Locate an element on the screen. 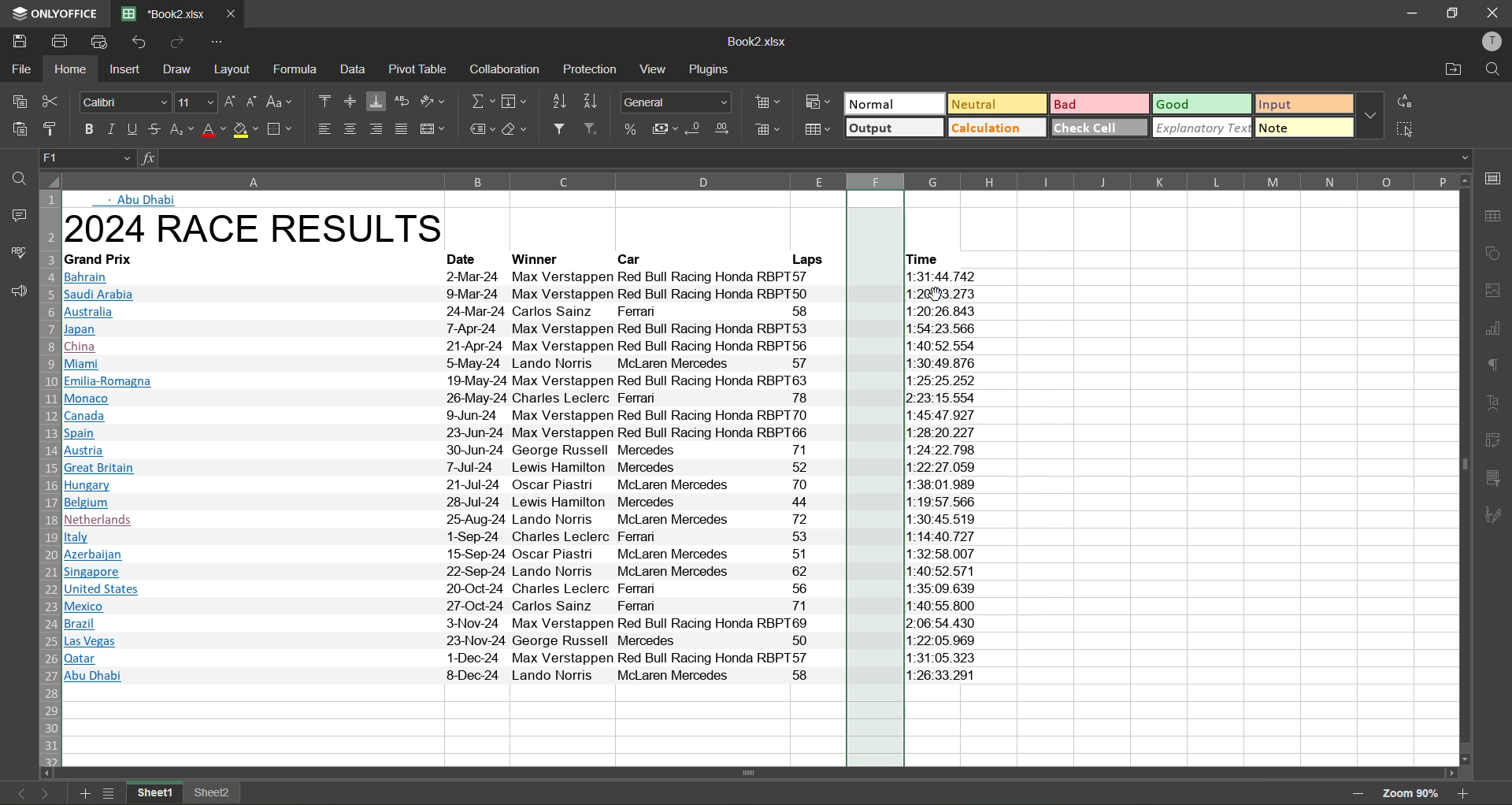  cut is located at coordinates (53, 104).